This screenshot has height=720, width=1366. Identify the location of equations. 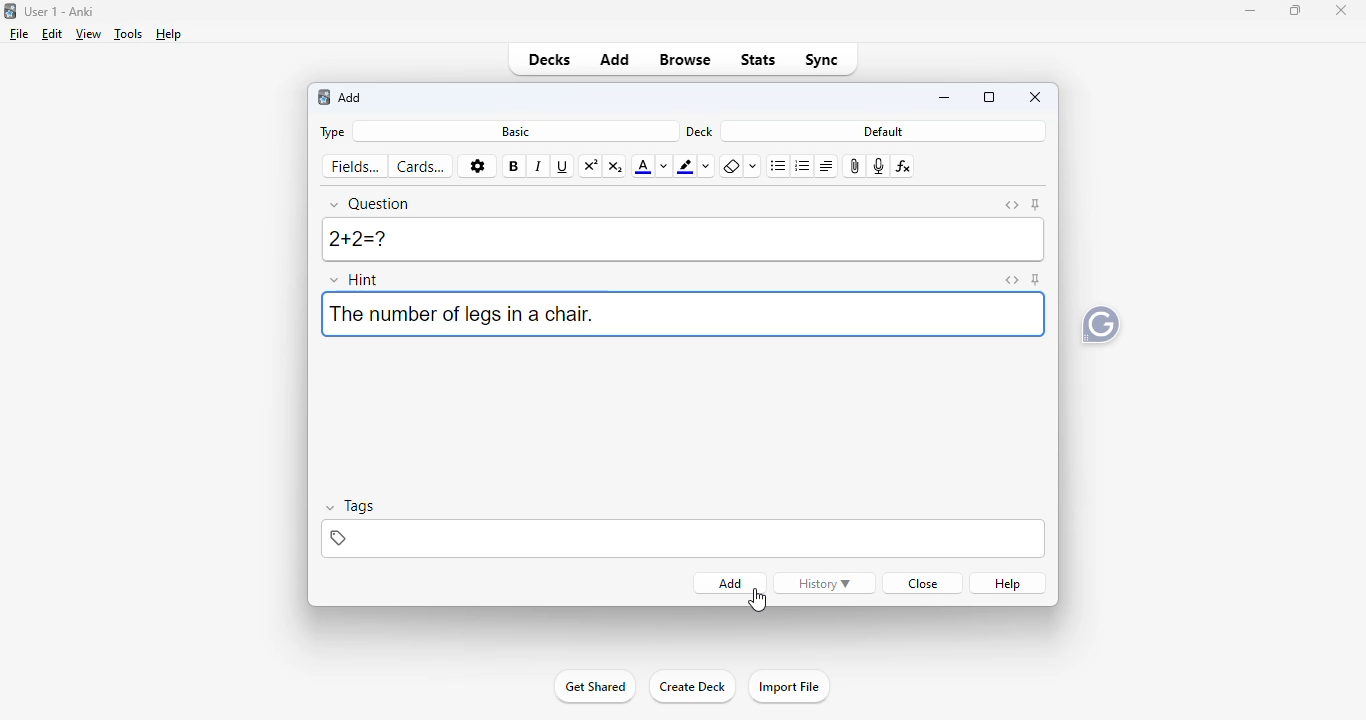
(904, 166).